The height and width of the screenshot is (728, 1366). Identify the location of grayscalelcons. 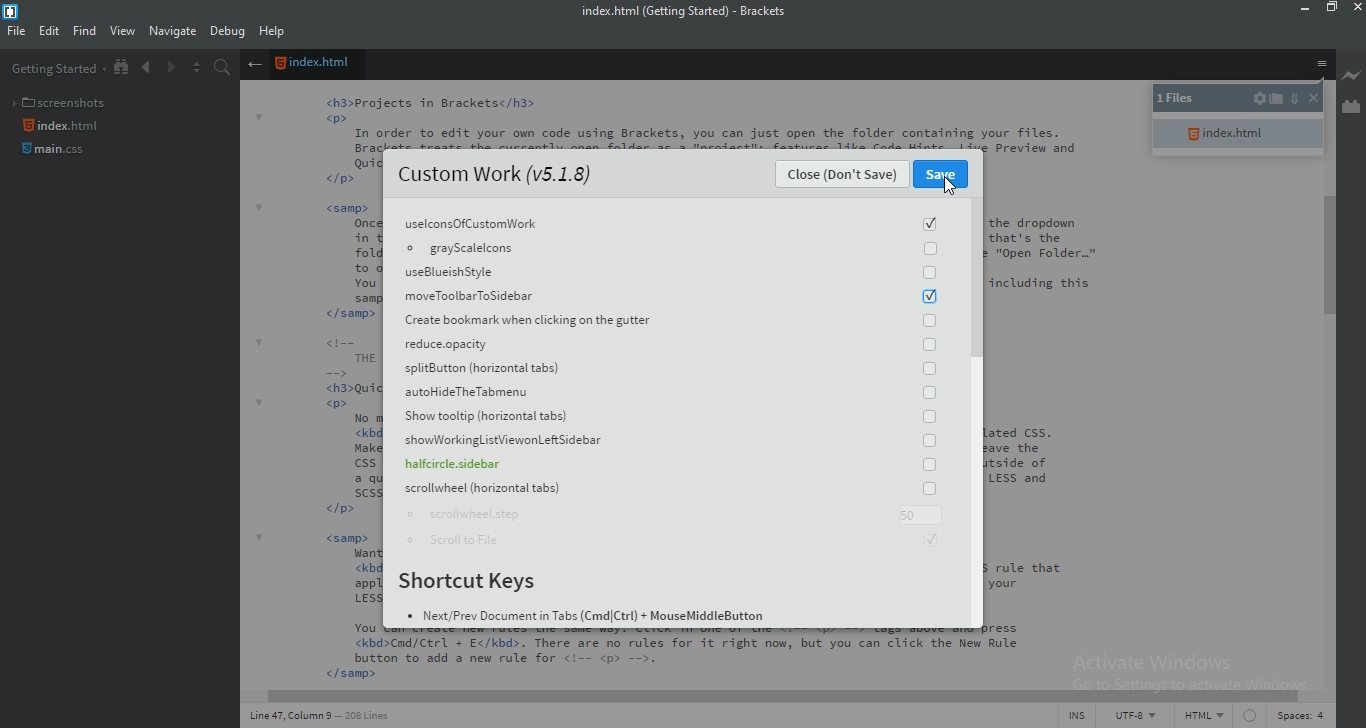
(666, 249).